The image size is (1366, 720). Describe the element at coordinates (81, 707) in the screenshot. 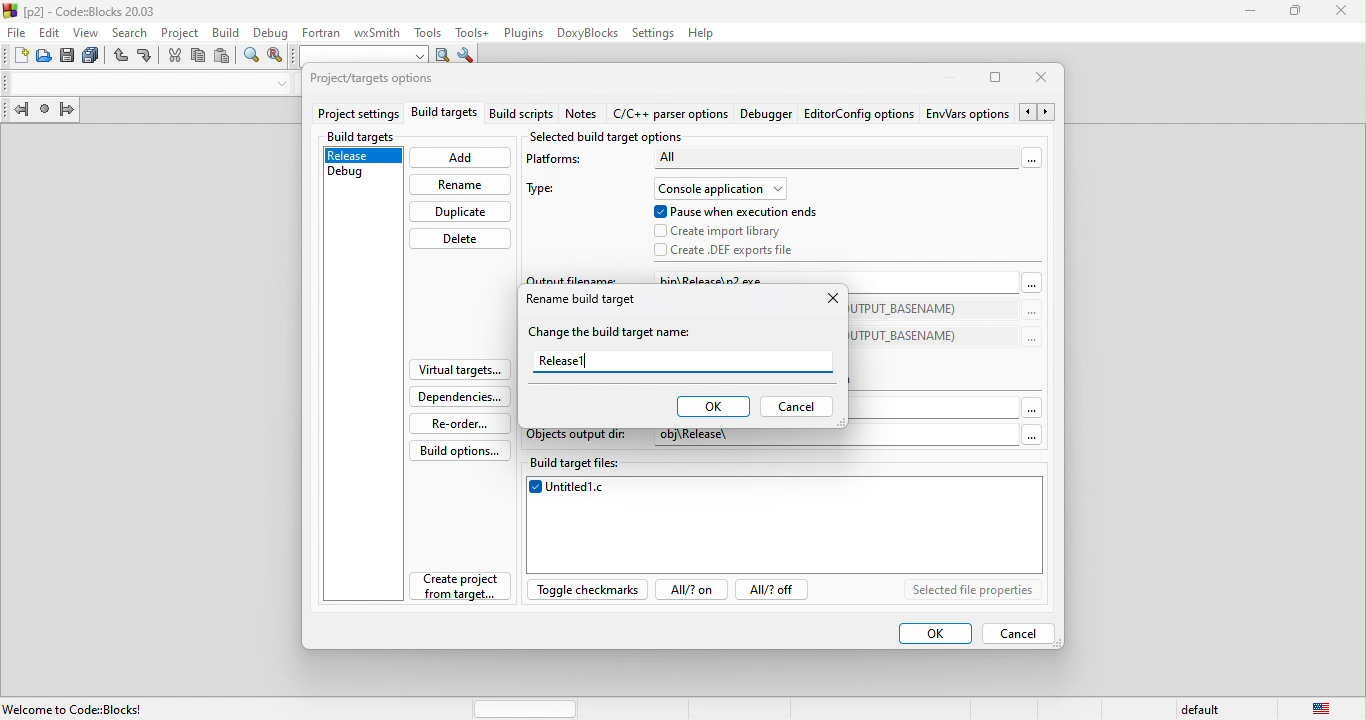

I see `welcome to code blocks` at that location.